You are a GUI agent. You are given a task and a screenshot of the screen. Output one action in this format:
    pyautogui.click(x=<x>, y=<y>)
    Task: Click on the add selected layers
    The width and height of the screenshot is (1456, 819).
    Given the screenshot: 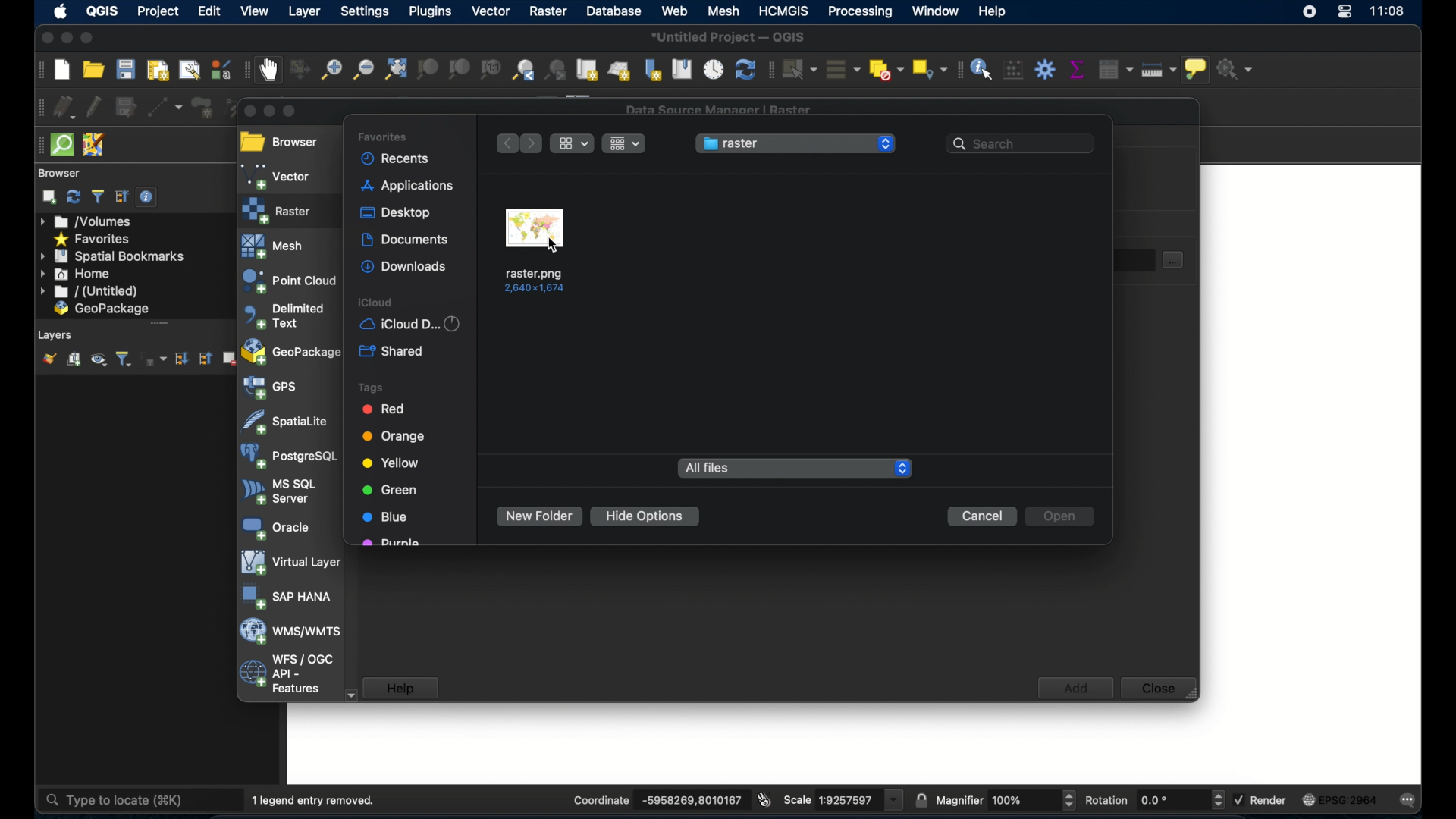 What is the action you would take?
    pyautogui.click(x=49, y=197)
    